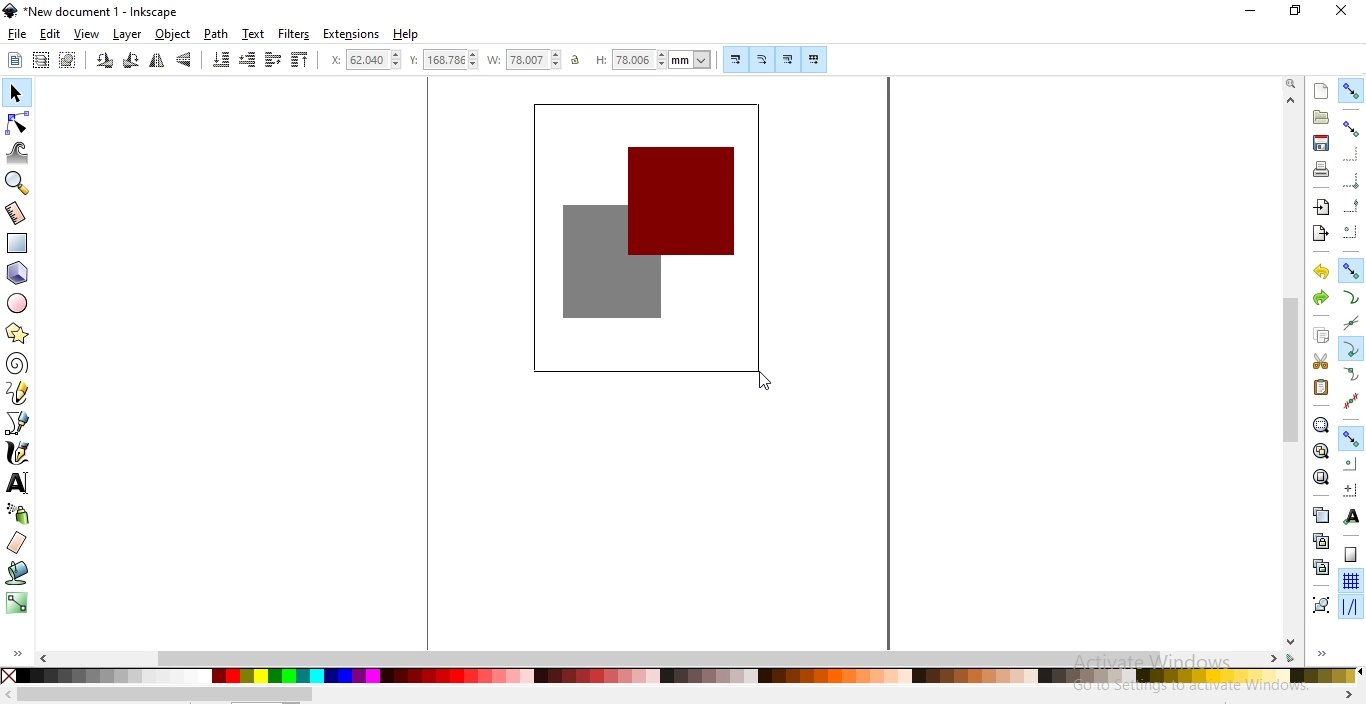 This screenshot has height=704, width=1366. I want to click on lower selection by one step, so click(247, 60).